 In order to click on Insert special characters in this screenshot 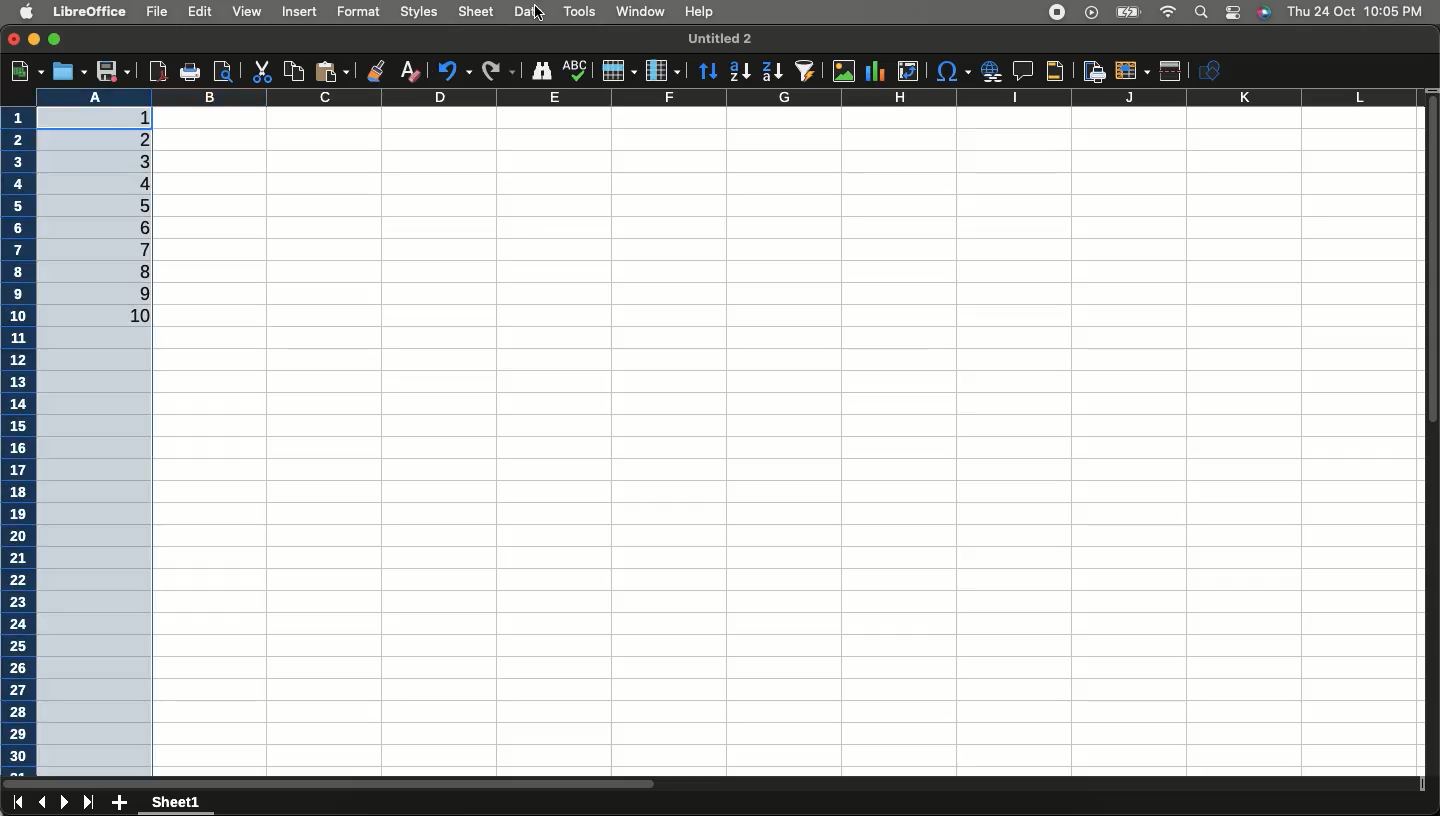, I will do `click(952, 72)`.